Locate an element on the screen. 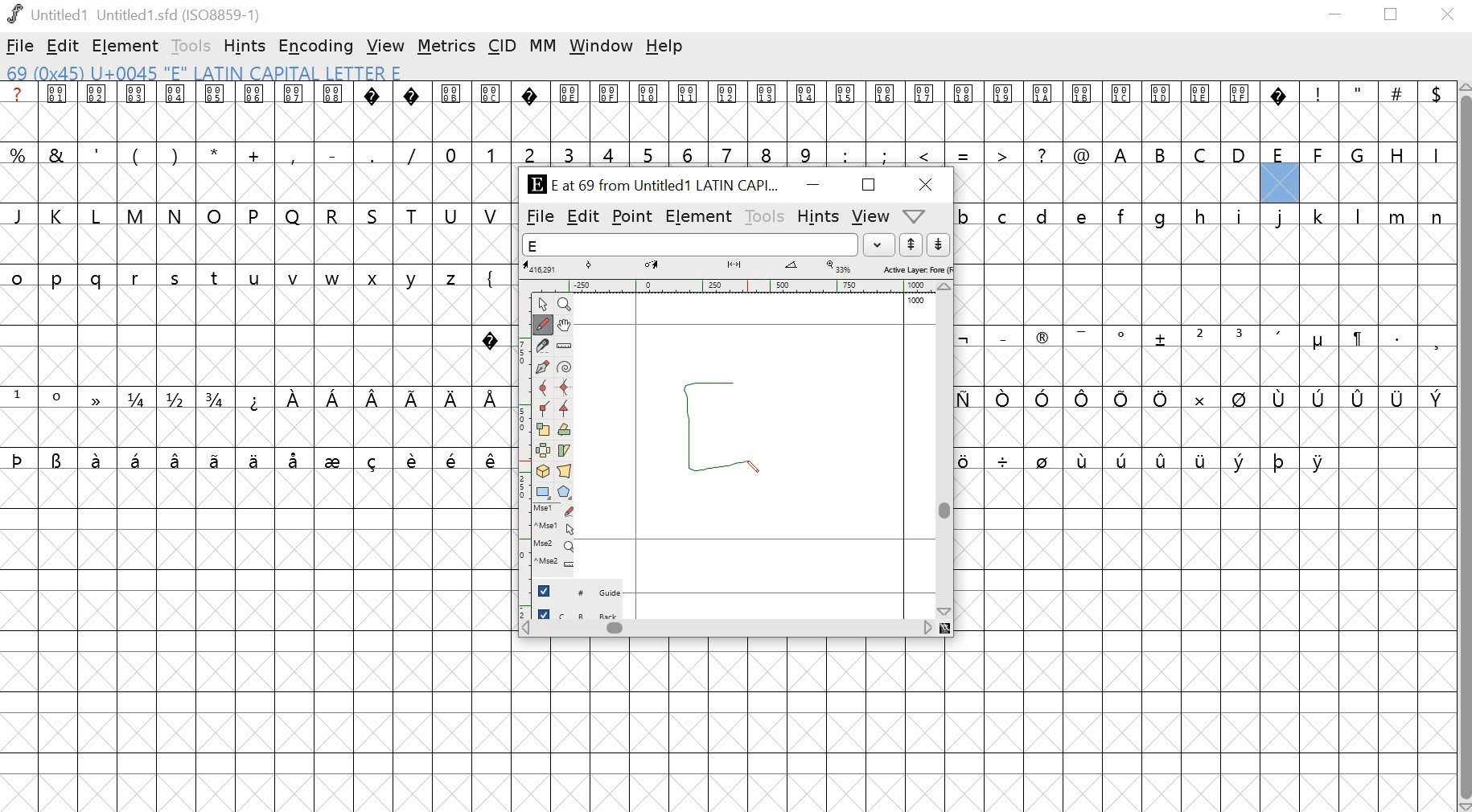 The width and height of the screenshot is (1472, 812). empty cells is located at coordinates (1208, 276).